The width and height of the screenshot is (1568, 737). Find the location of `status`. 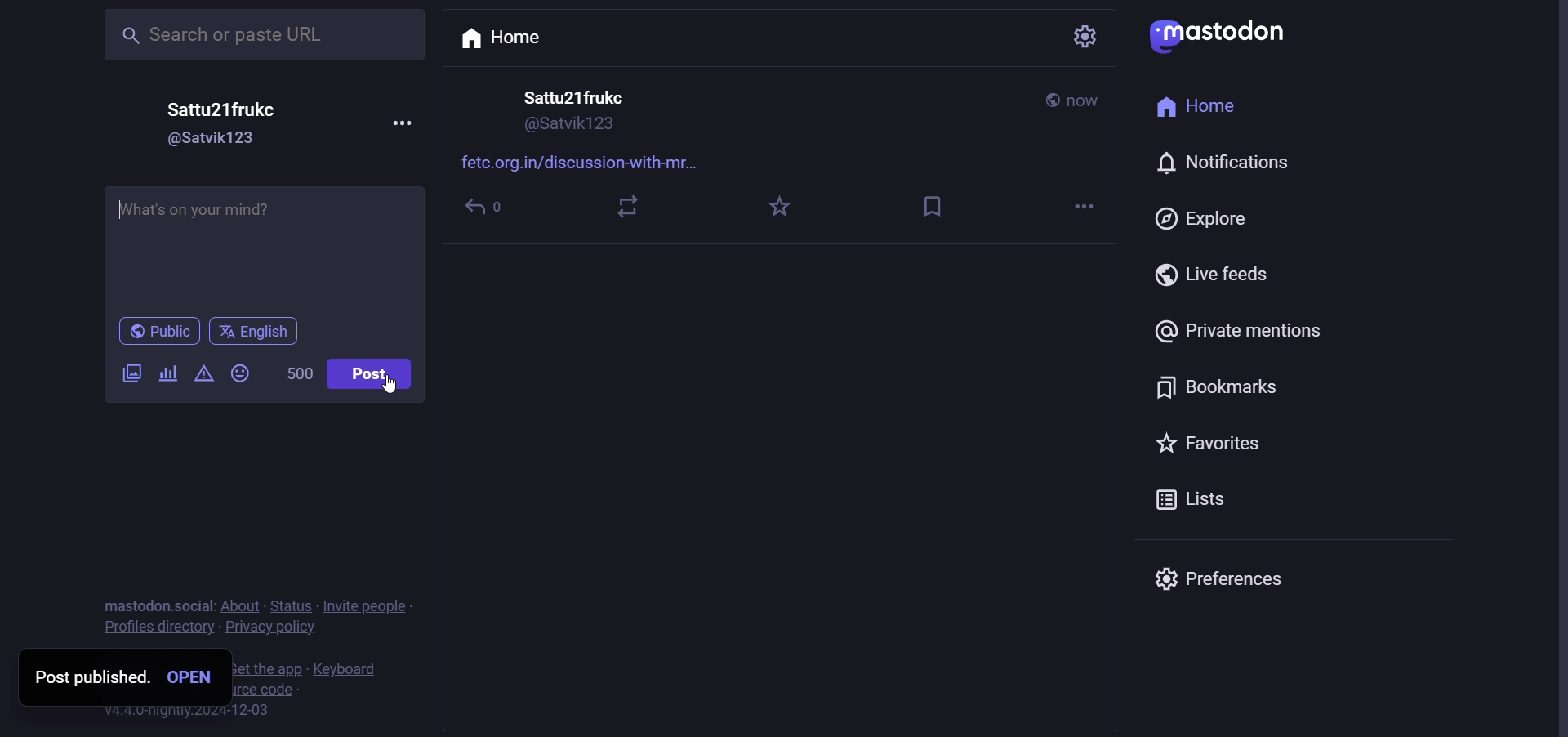

status is located at coordinates (290, 606).